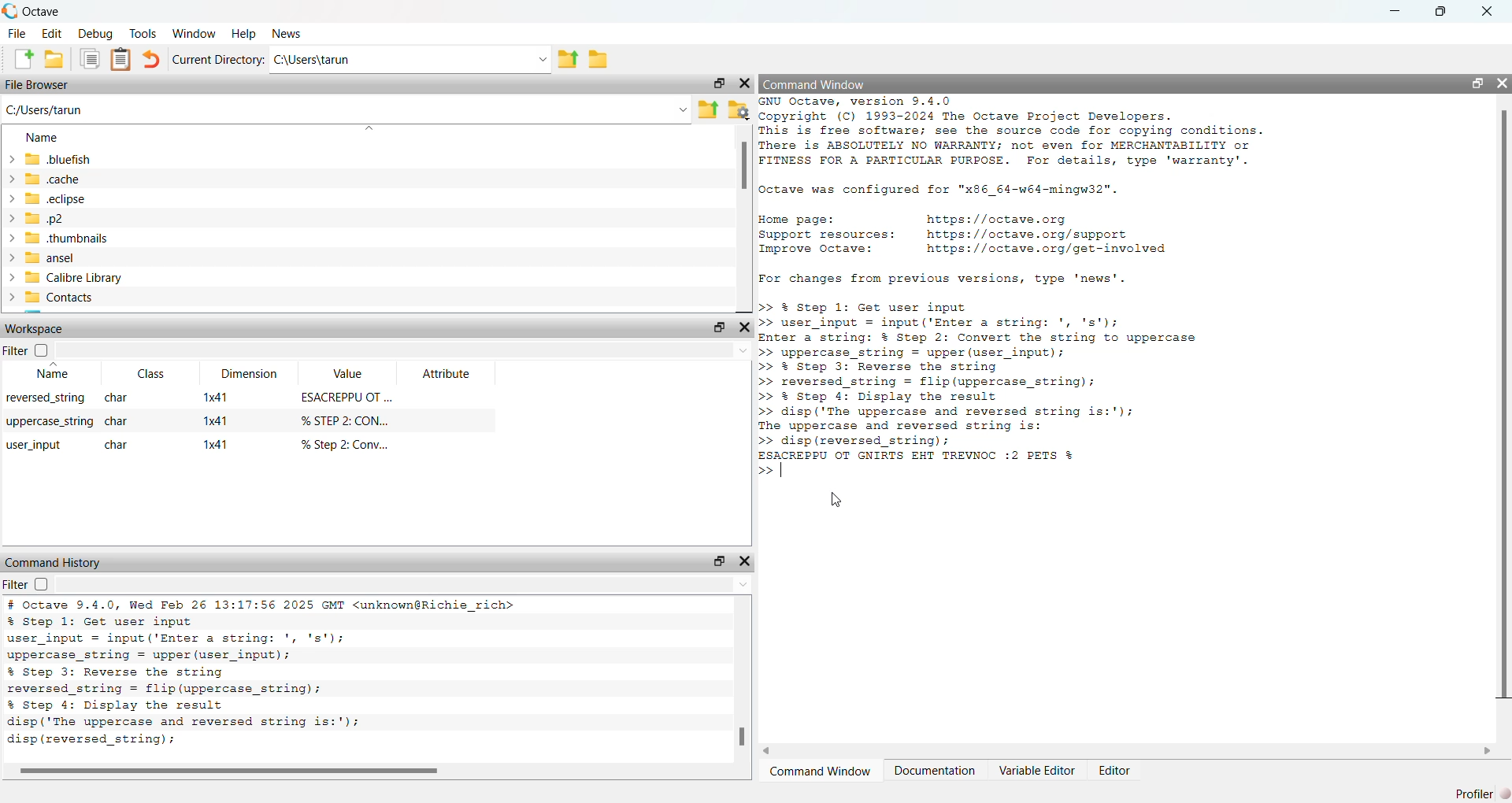  I want to click on one directory up, so click(570, 58).